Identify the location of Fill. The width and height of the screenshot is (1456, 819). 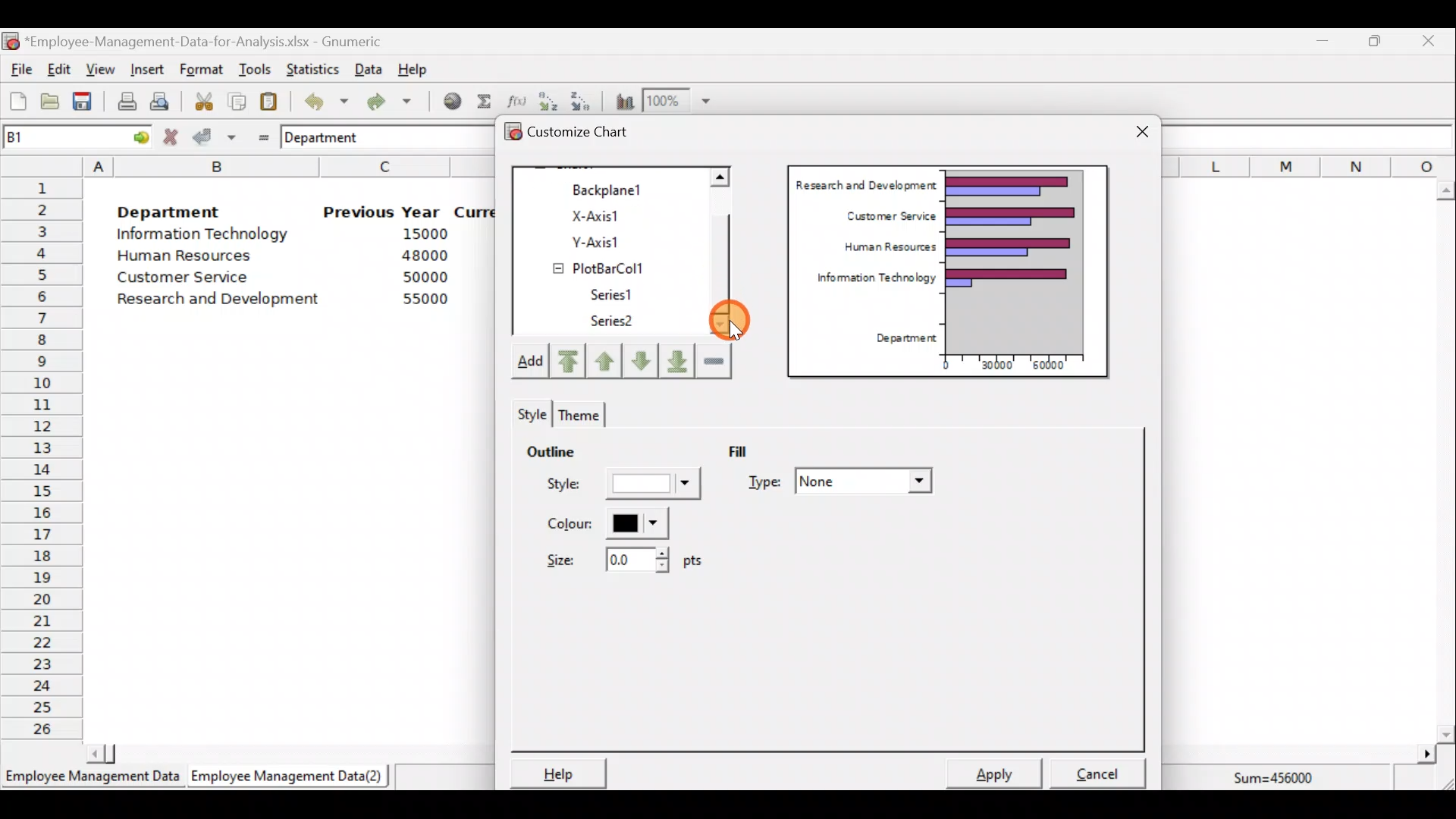
(749, 450).